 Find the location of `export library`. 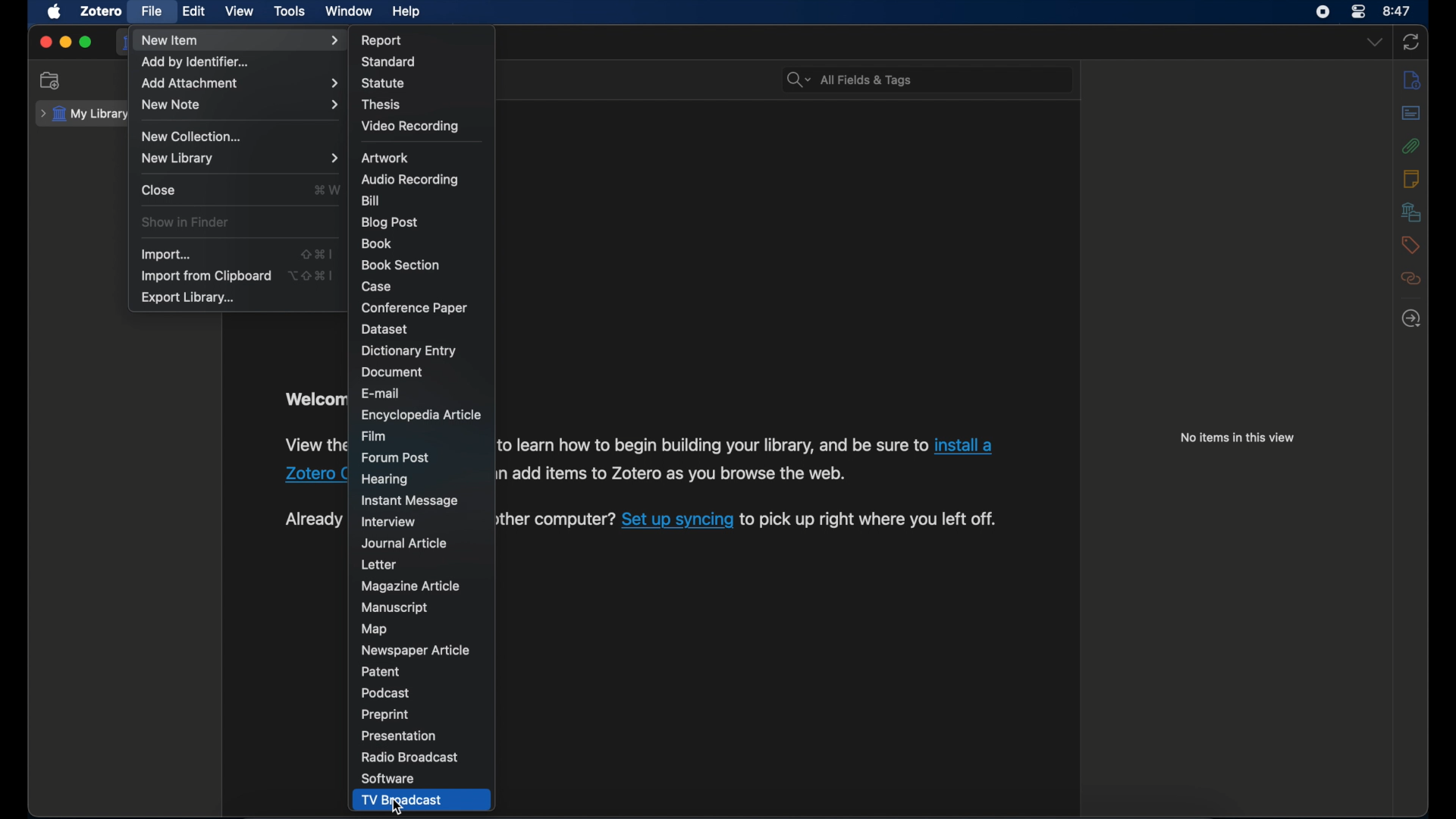

export library is located at coordinates (188, 298).